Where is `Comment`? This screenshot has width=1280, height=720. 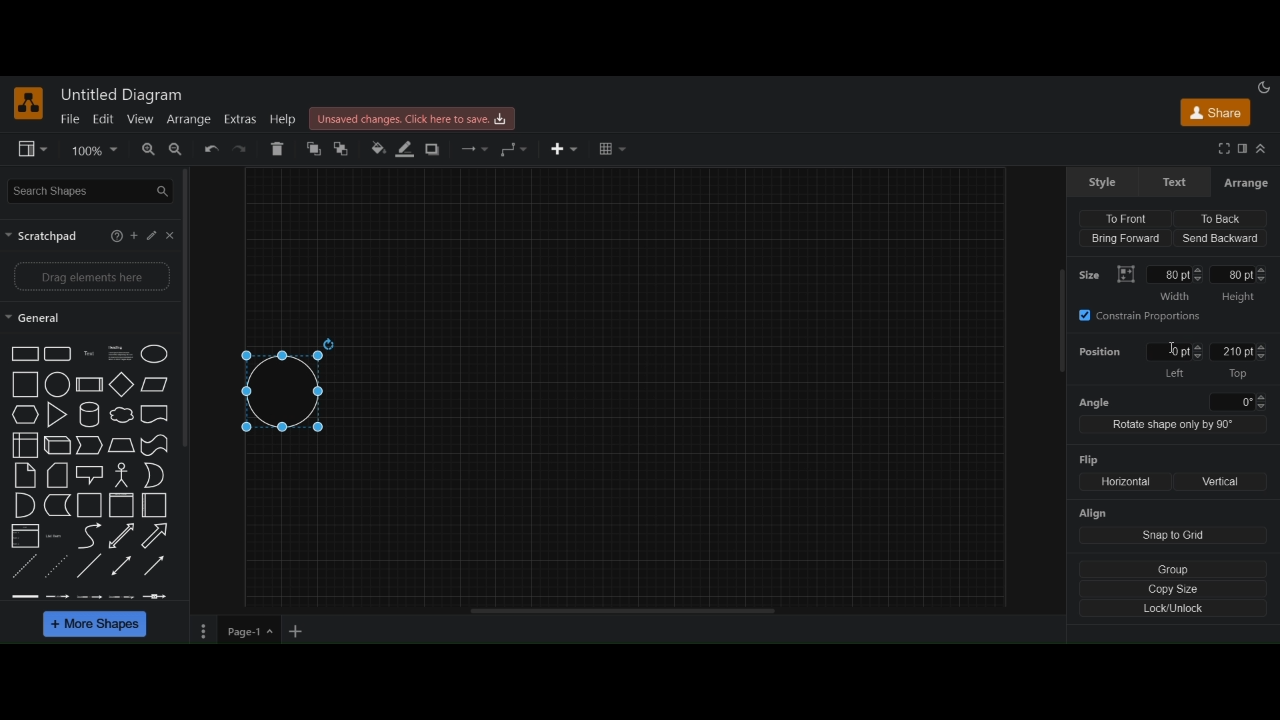
Comment is located at coordinates (90, 475).